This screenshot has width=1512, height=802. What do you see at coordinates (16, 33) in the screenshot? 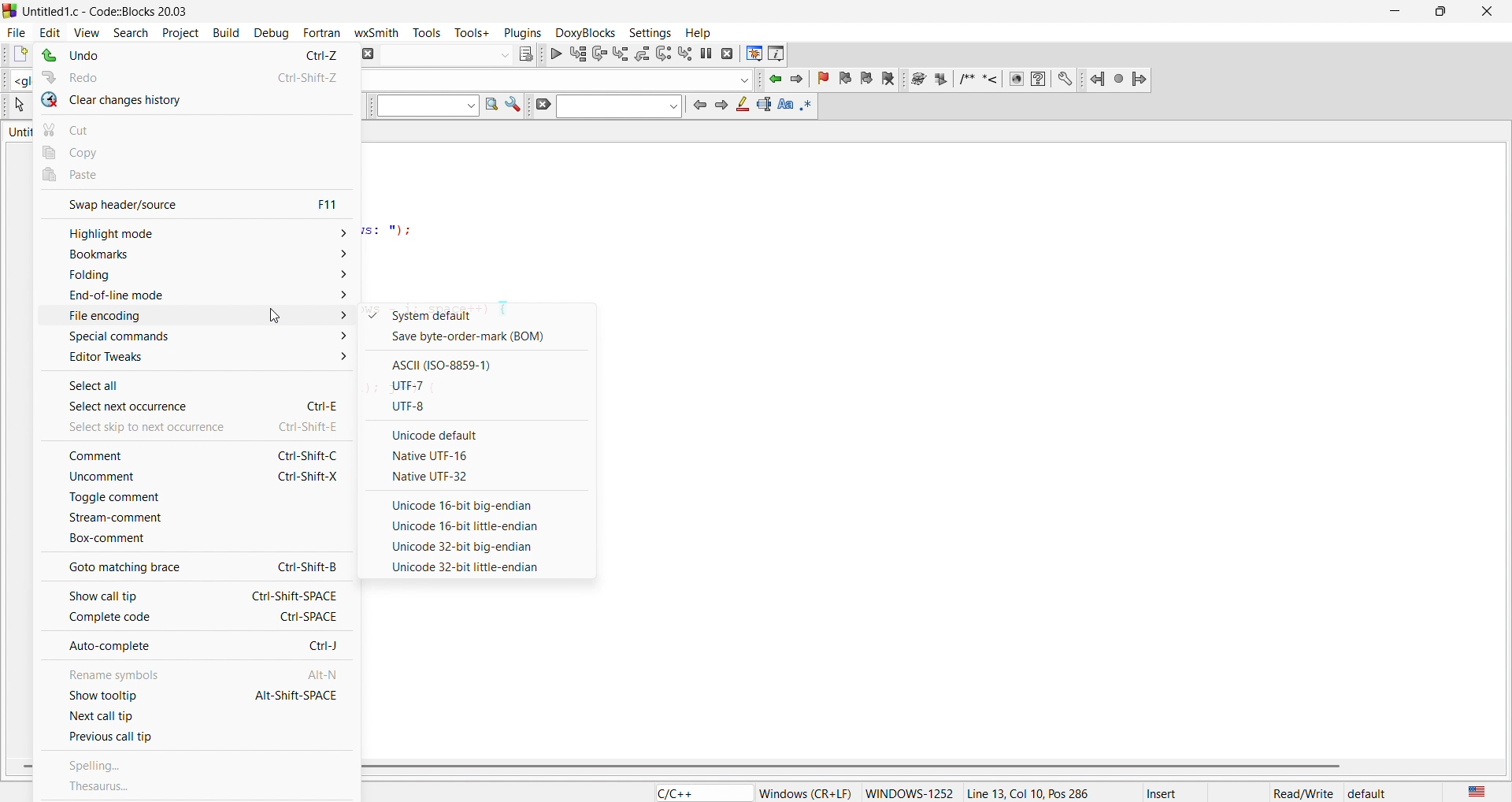
I see `file` at bounding box center [16, 33].